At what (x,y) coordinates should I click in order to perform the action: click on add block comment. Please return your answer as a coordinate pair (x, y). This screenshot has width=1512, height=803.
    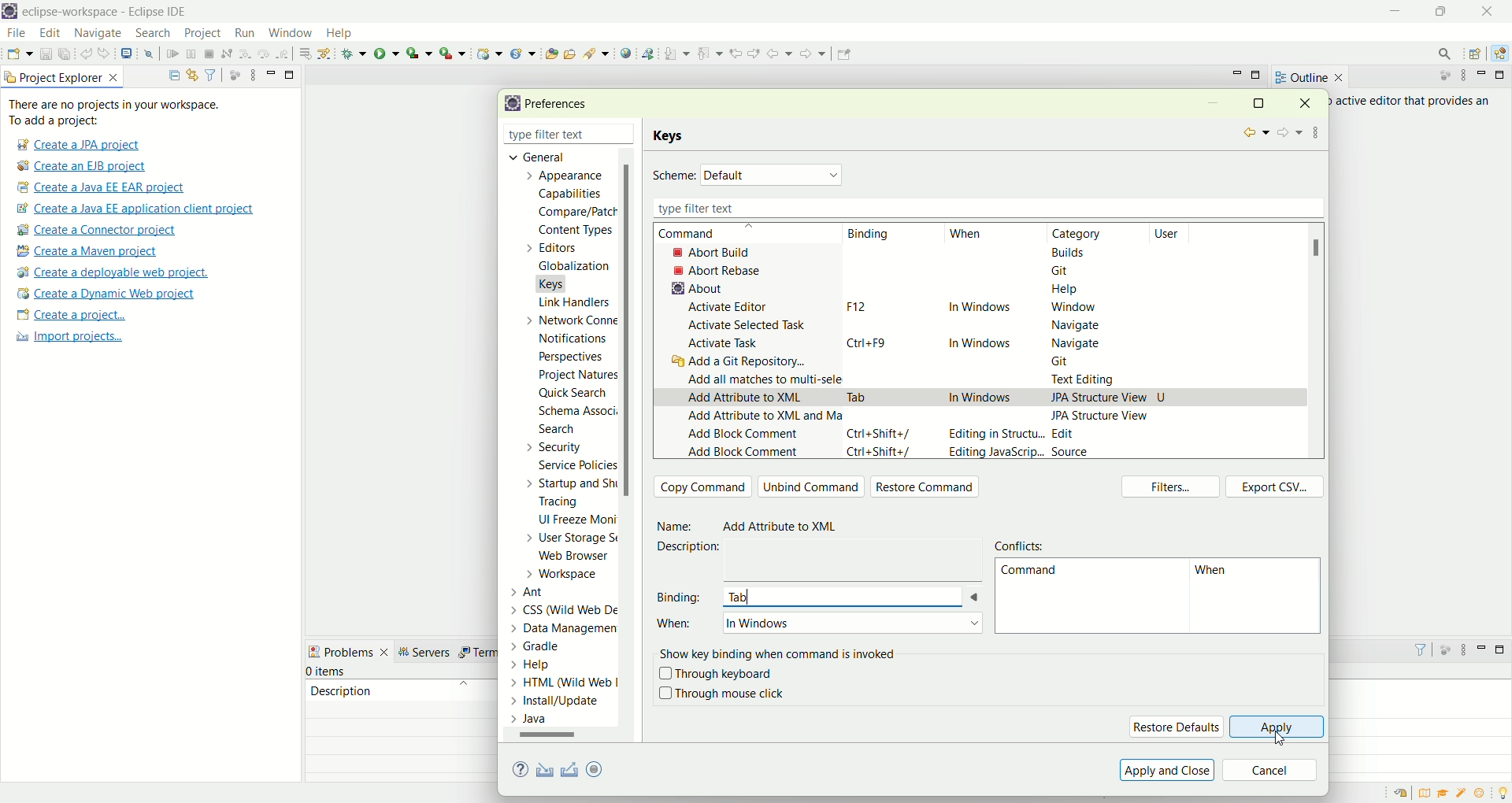
    Looking at the image, I should click on (743, 436).